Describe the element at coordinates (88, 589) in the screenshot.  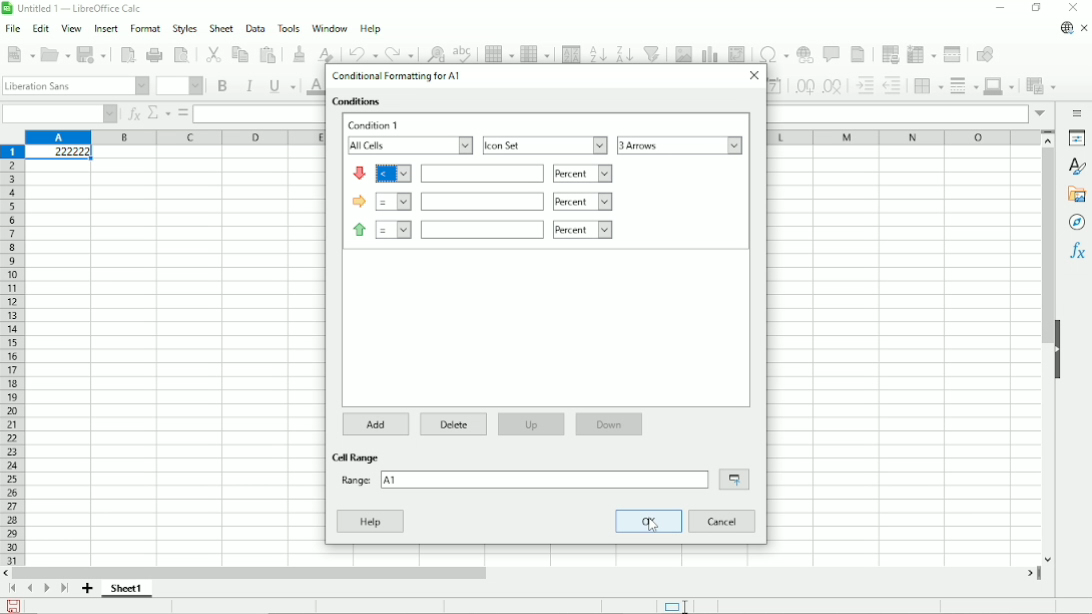
I see `Add sheet` at that location.